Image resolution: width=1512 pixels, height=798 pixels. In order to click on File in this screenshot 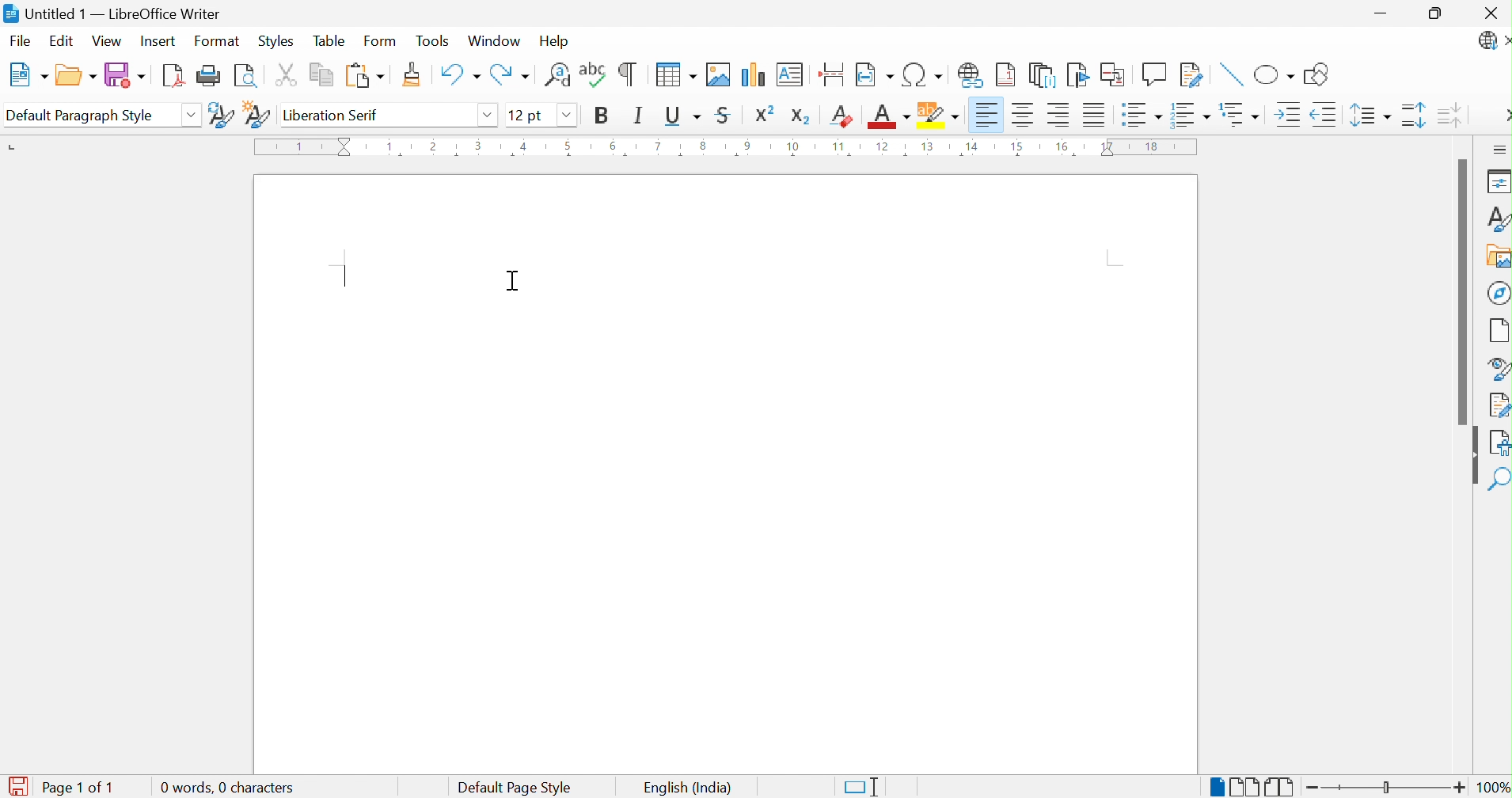, I will do `click(21, 40)`.